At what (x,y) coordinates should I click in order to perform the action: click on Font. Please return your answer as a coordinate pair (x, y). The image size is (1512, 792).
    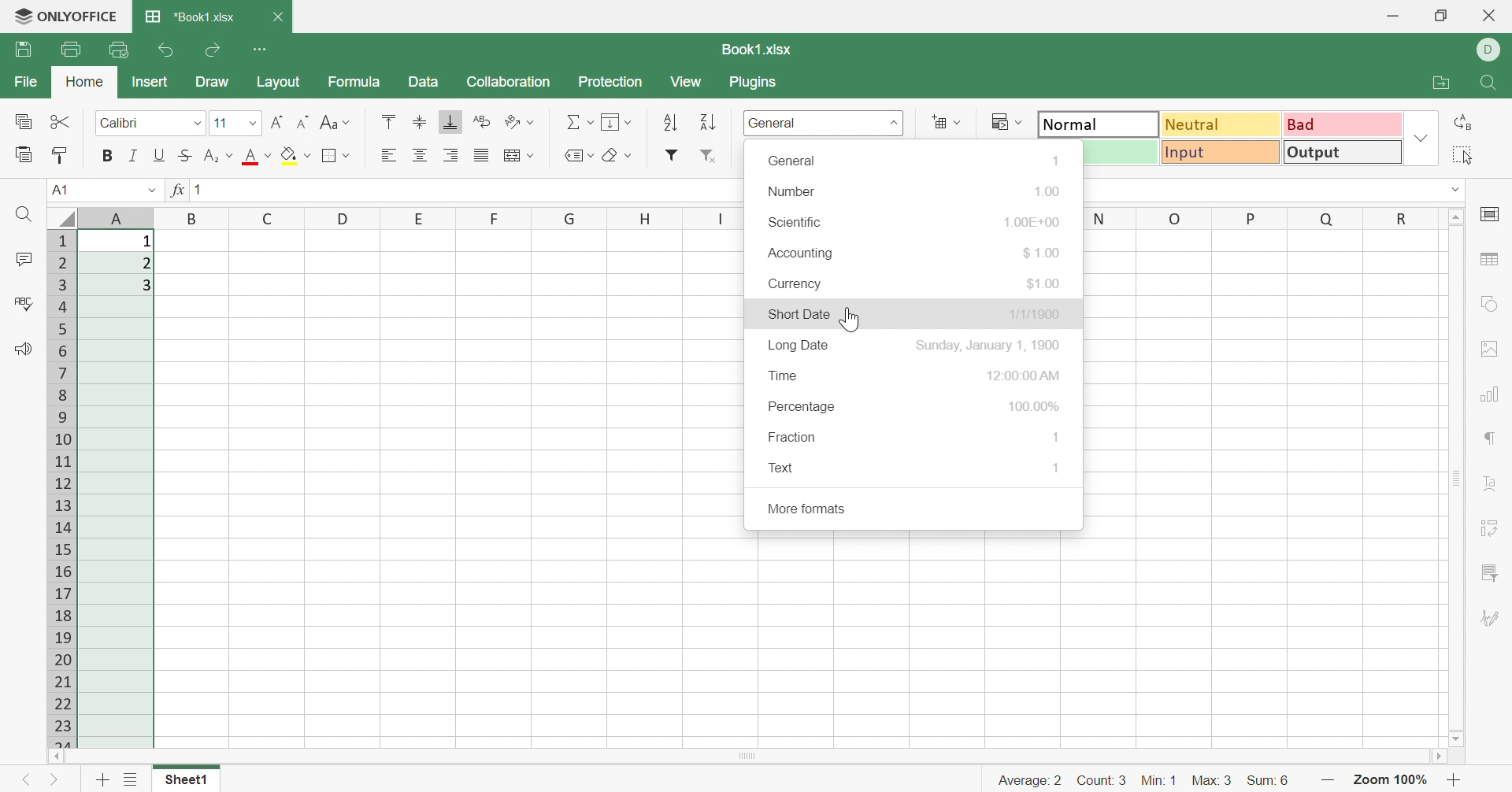
    Looking at the image, I should click on (152, 123).